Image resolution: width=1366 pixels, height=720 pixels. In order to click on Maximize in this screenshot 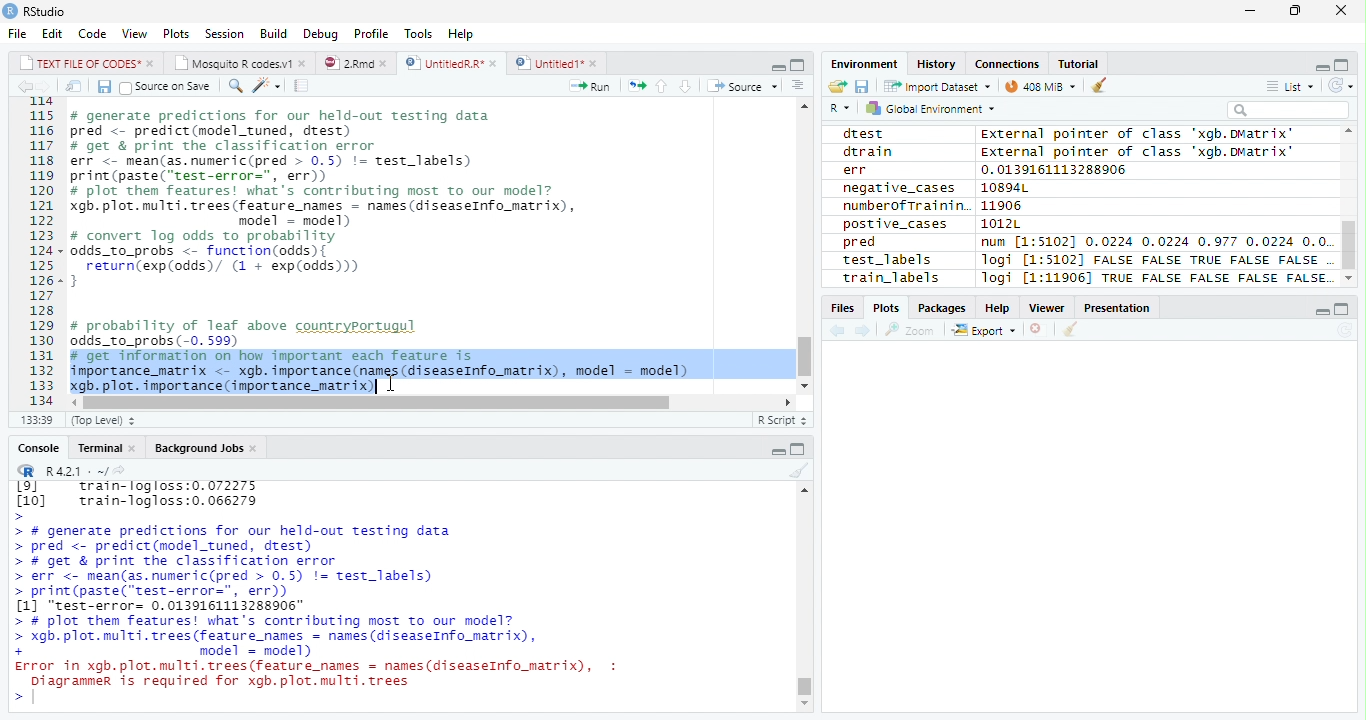, I will do `click(801, 447)`.